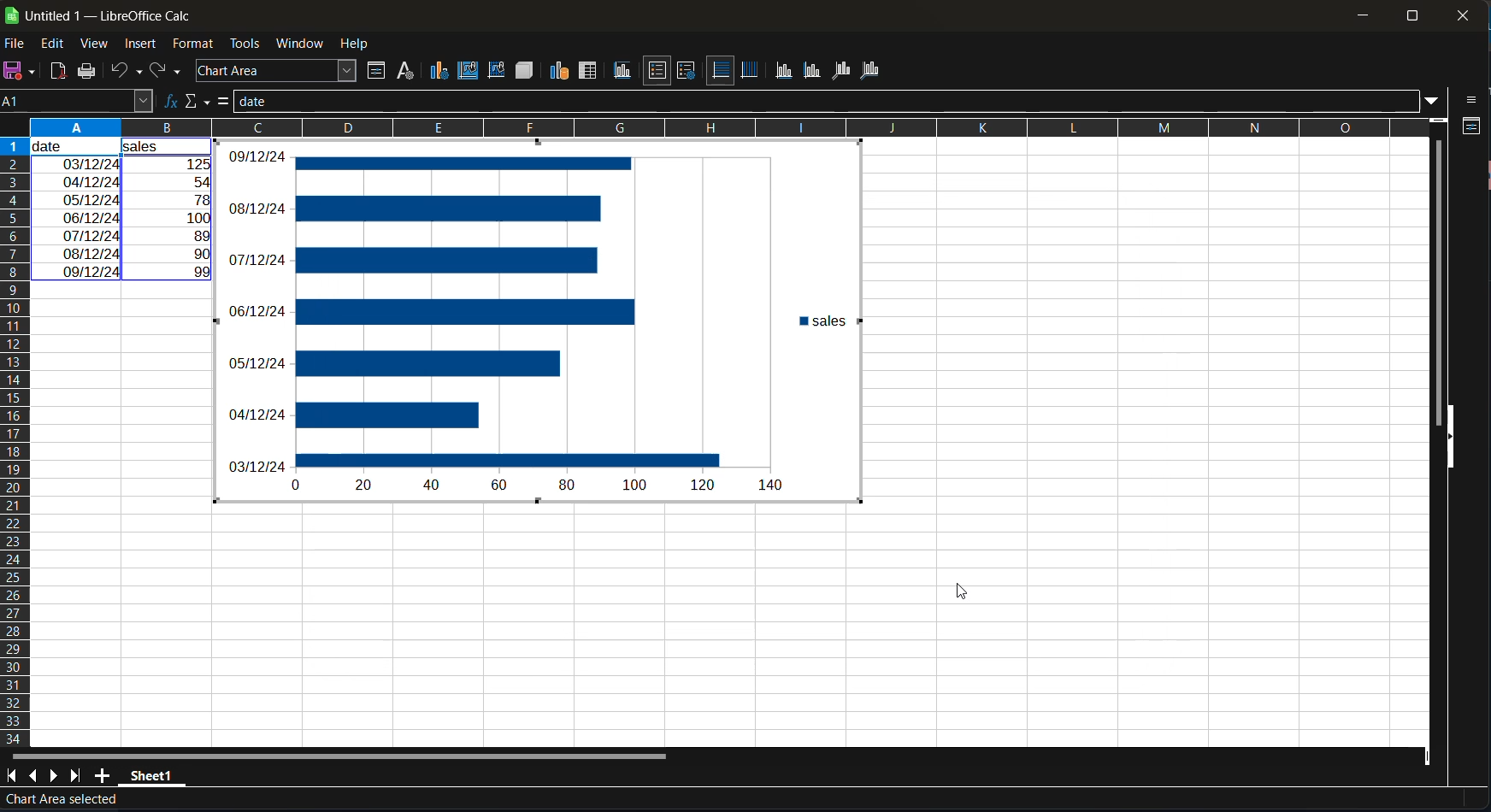 Image resolution: width=1491 pixels, height=812 pixels. What do you see at coordinates (1437, 271) in the screenshot?
I see `vertical scroll bar` at bounding box center [1437, 271].